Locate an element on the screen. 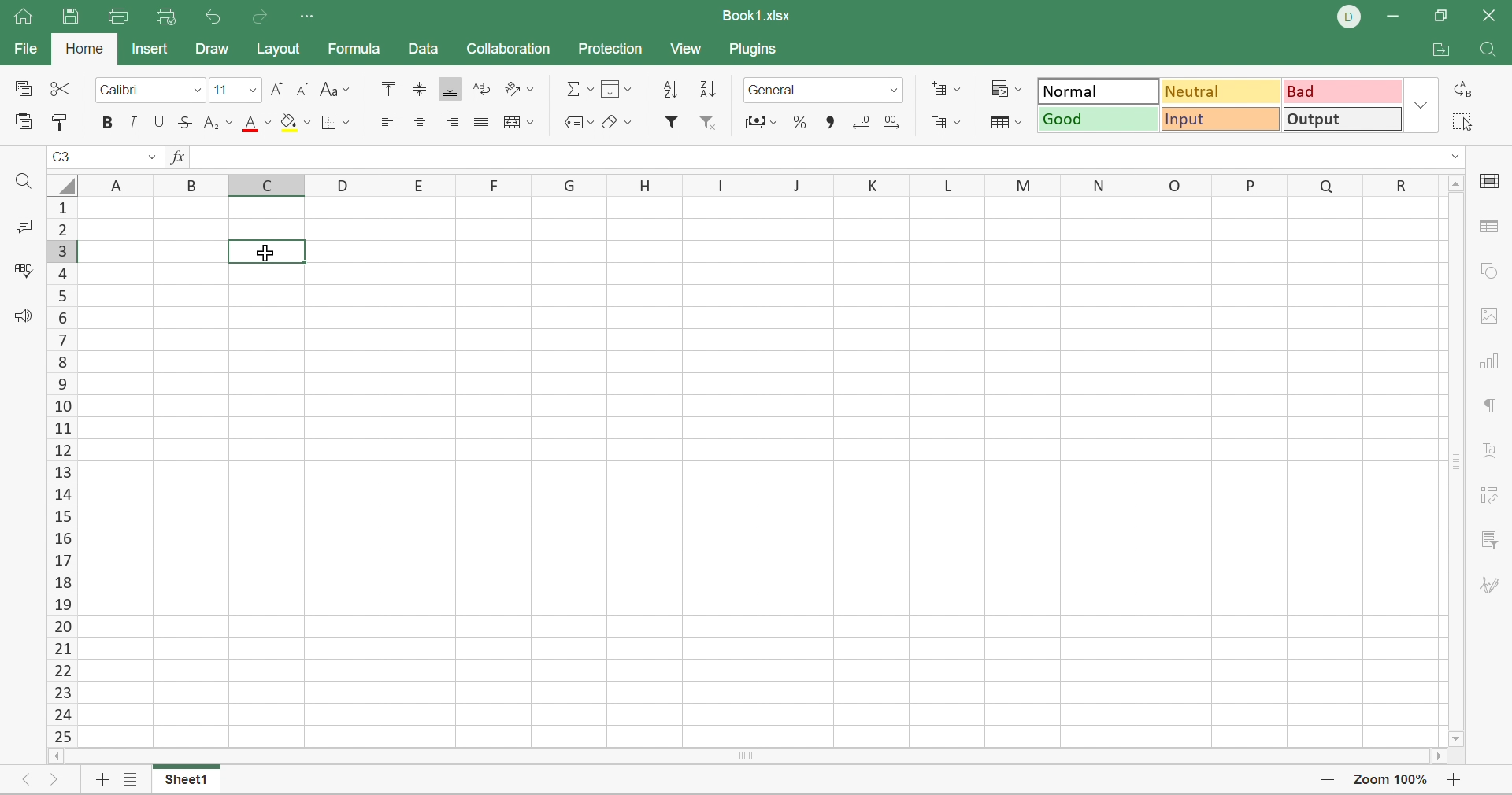 Image resolution: width=1512 pixels, height=795 pixels. Draw is located at coordinates (214, 49).